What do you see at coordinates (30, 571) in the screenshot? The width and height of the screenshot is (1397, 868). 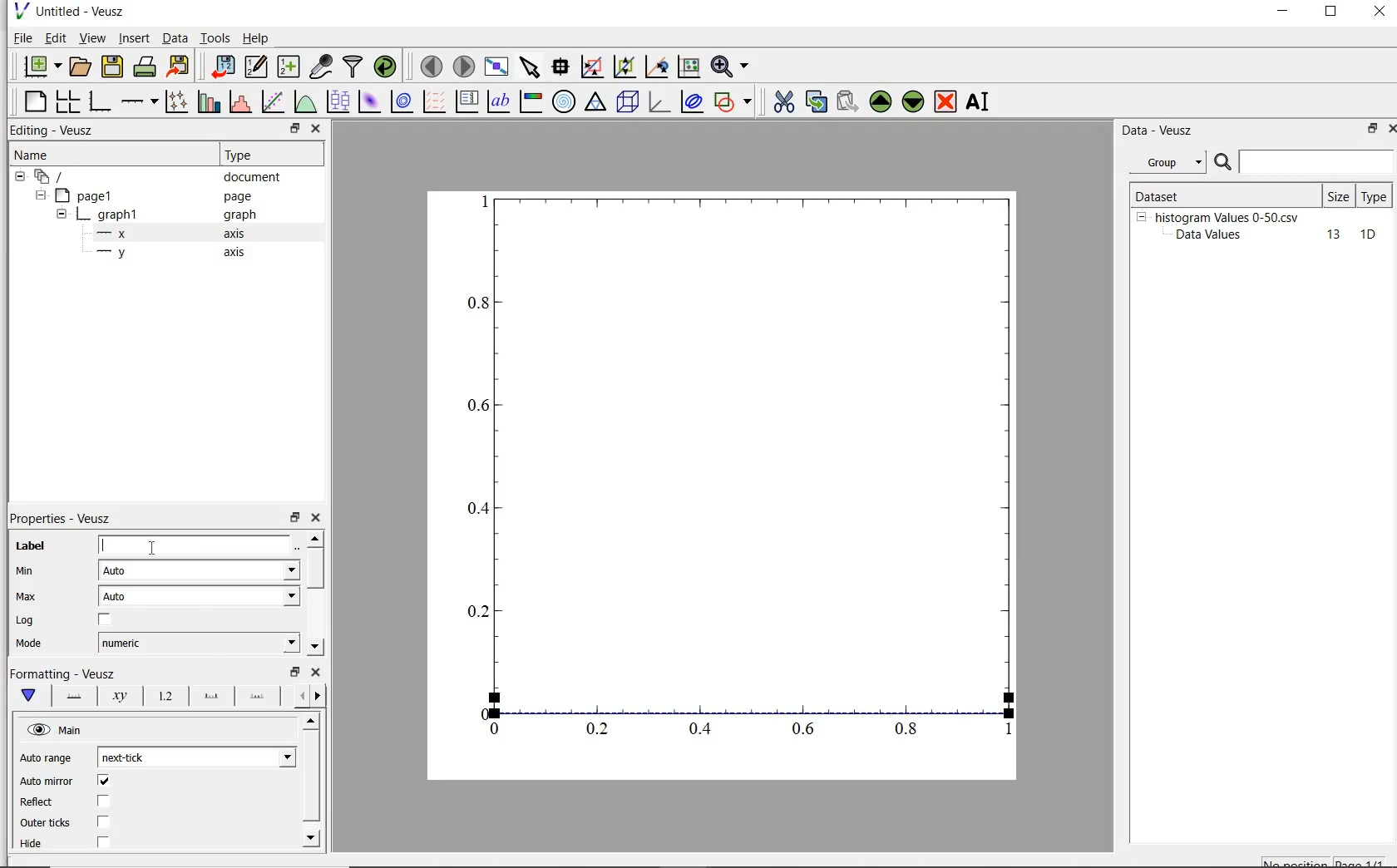 I see `min` at bounding box center [30, 571].